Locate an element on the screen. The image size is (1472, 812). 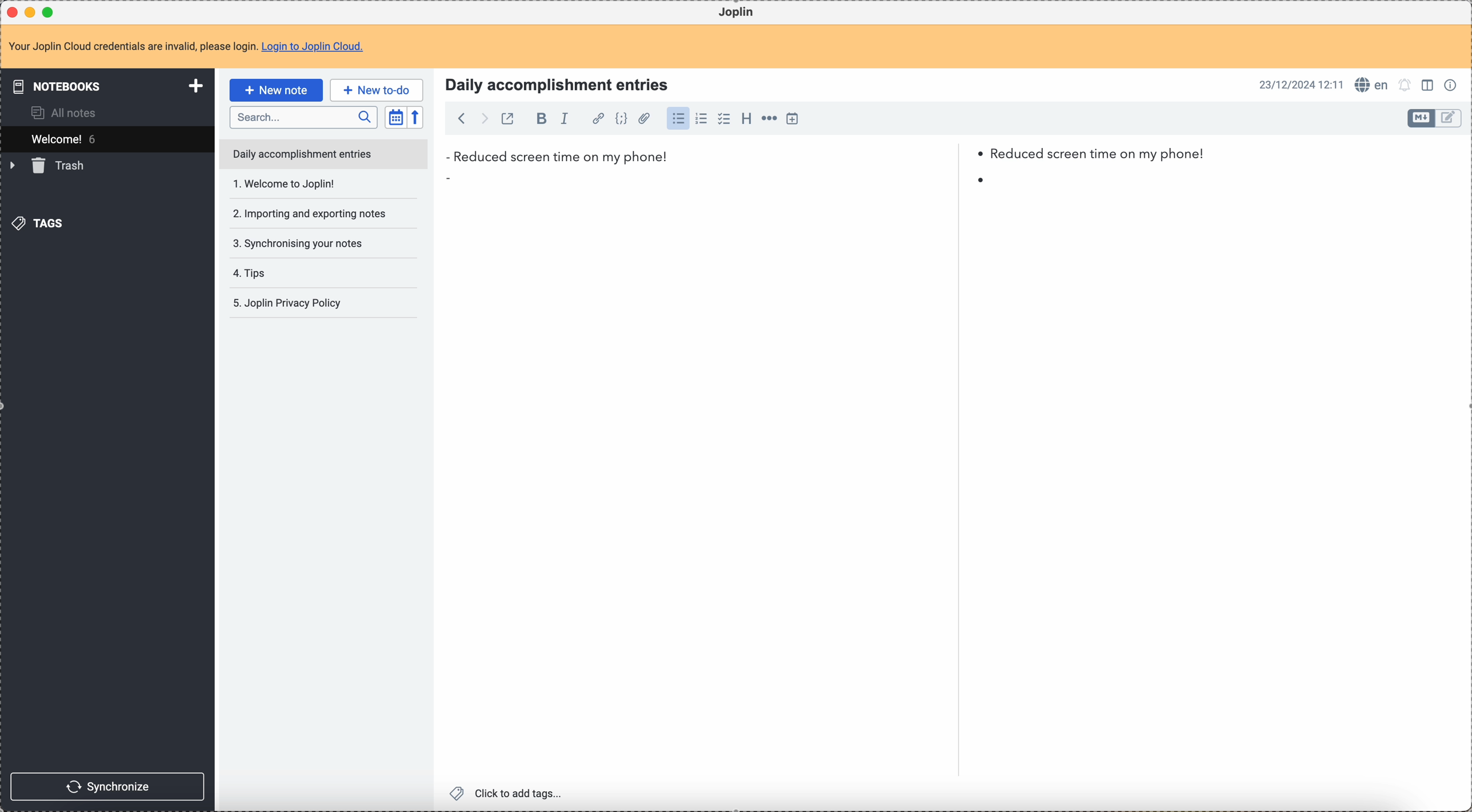
toggle edit layout is located at coordinates (1428, 84).